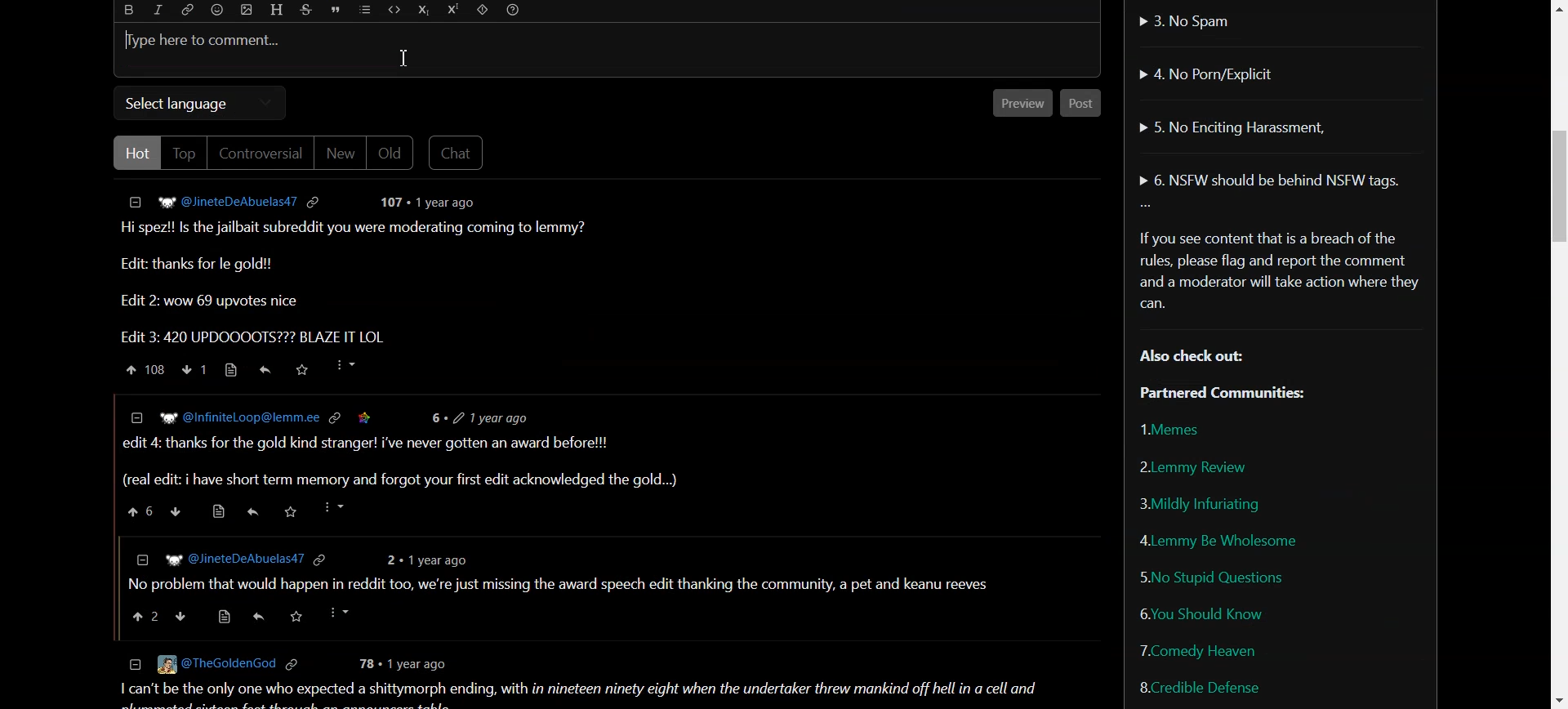  What do you see at coordinates (403, 58) in the screenshot?
I see `Text Cursor` at bounding box center [403, 58].